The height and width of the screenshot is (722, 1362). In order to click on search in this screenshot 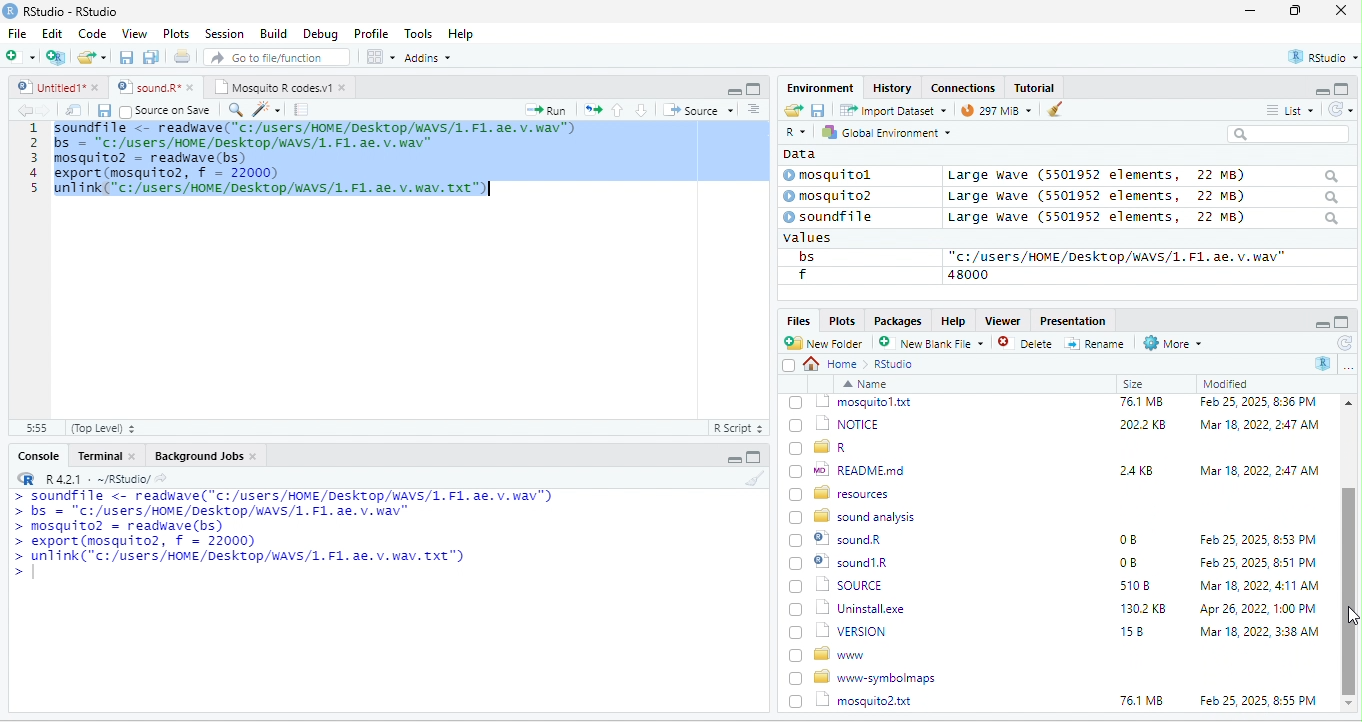, I will do `click(1288, 134)`.